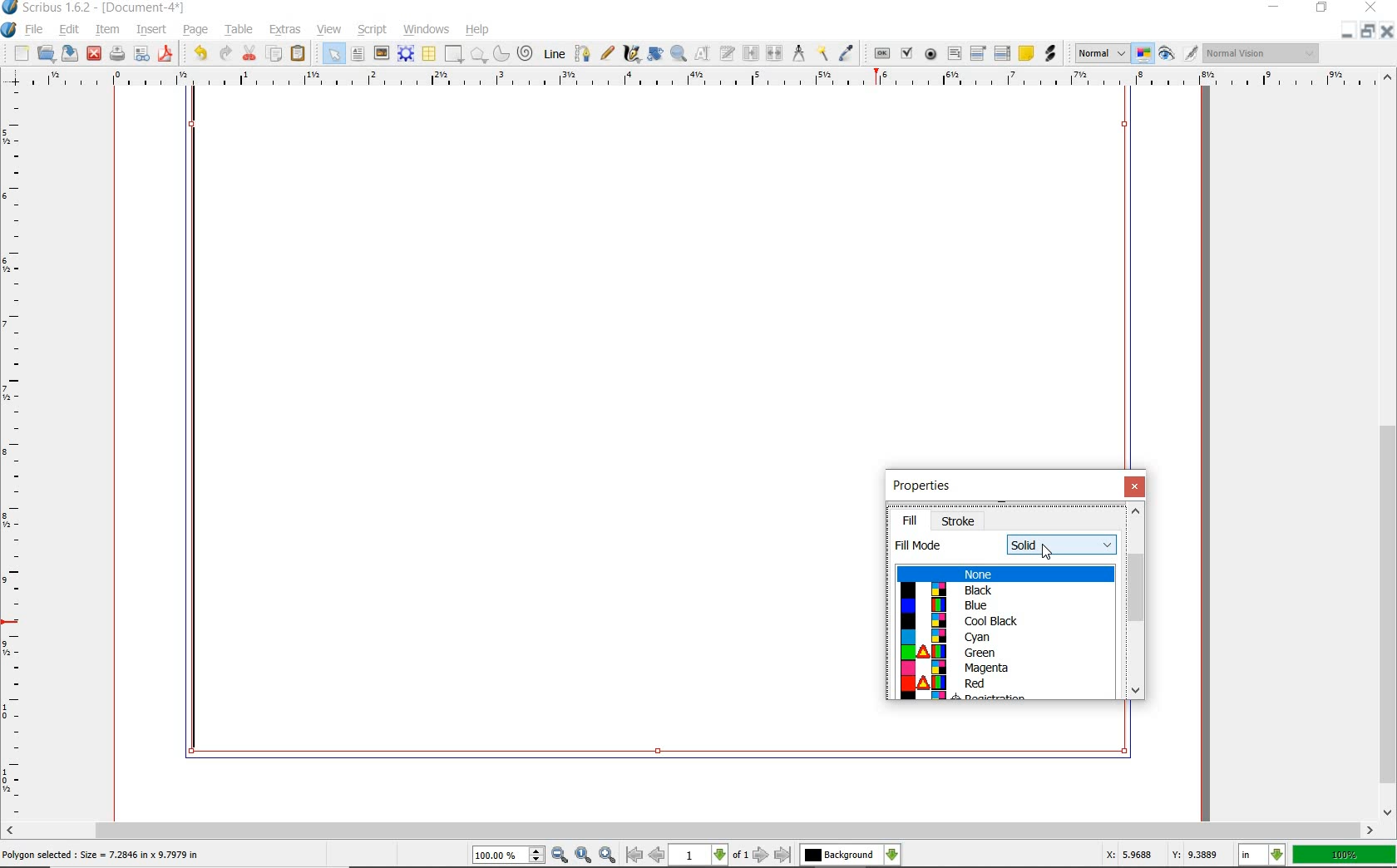 The height and width of the screenshot is (868, 1397). Describe the element at coordinates (1005, 575) in the screenshot. I see `none` at that location.